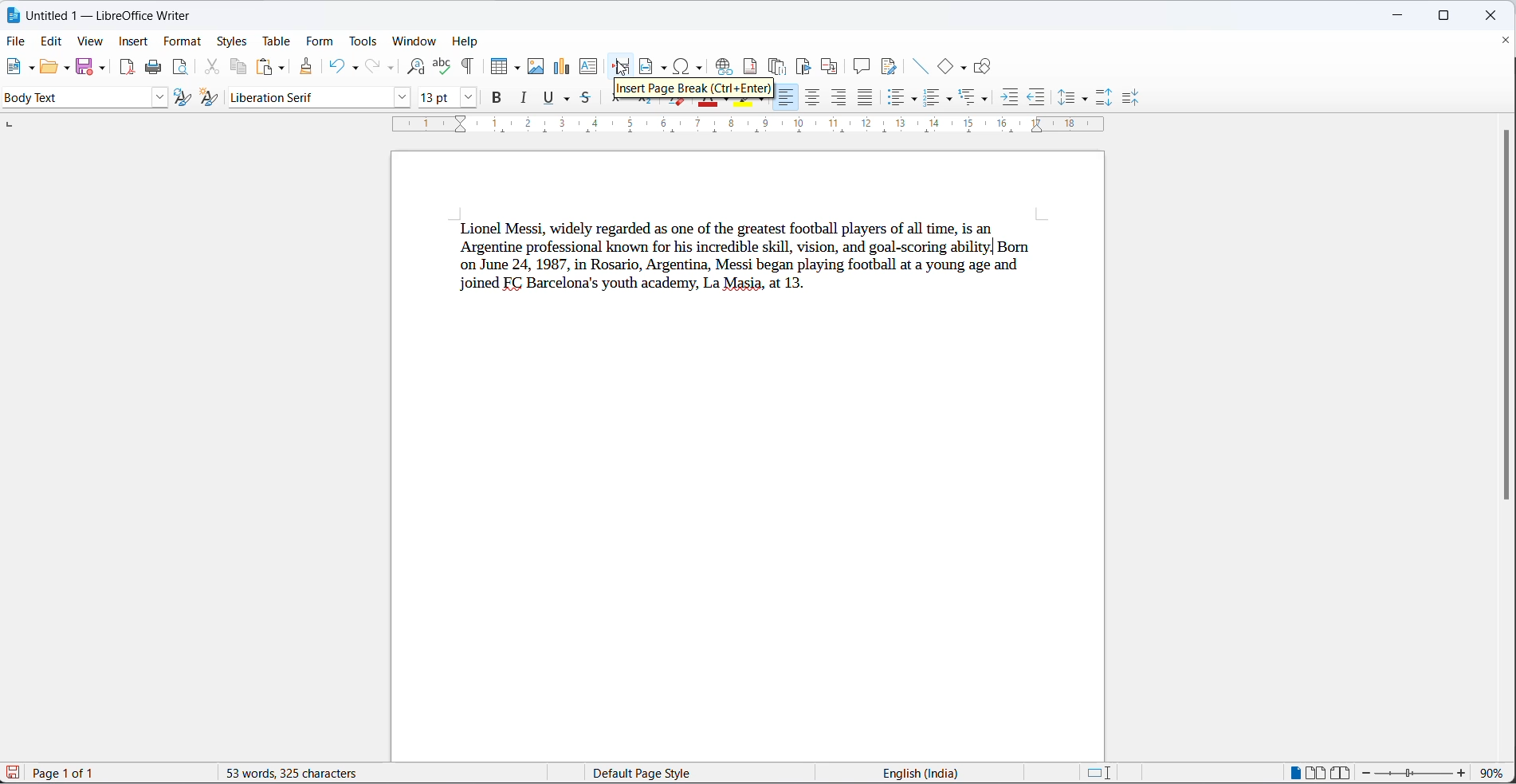 This screenshot has height=784, width=1516. I want to click on edit, so click(52, 39).